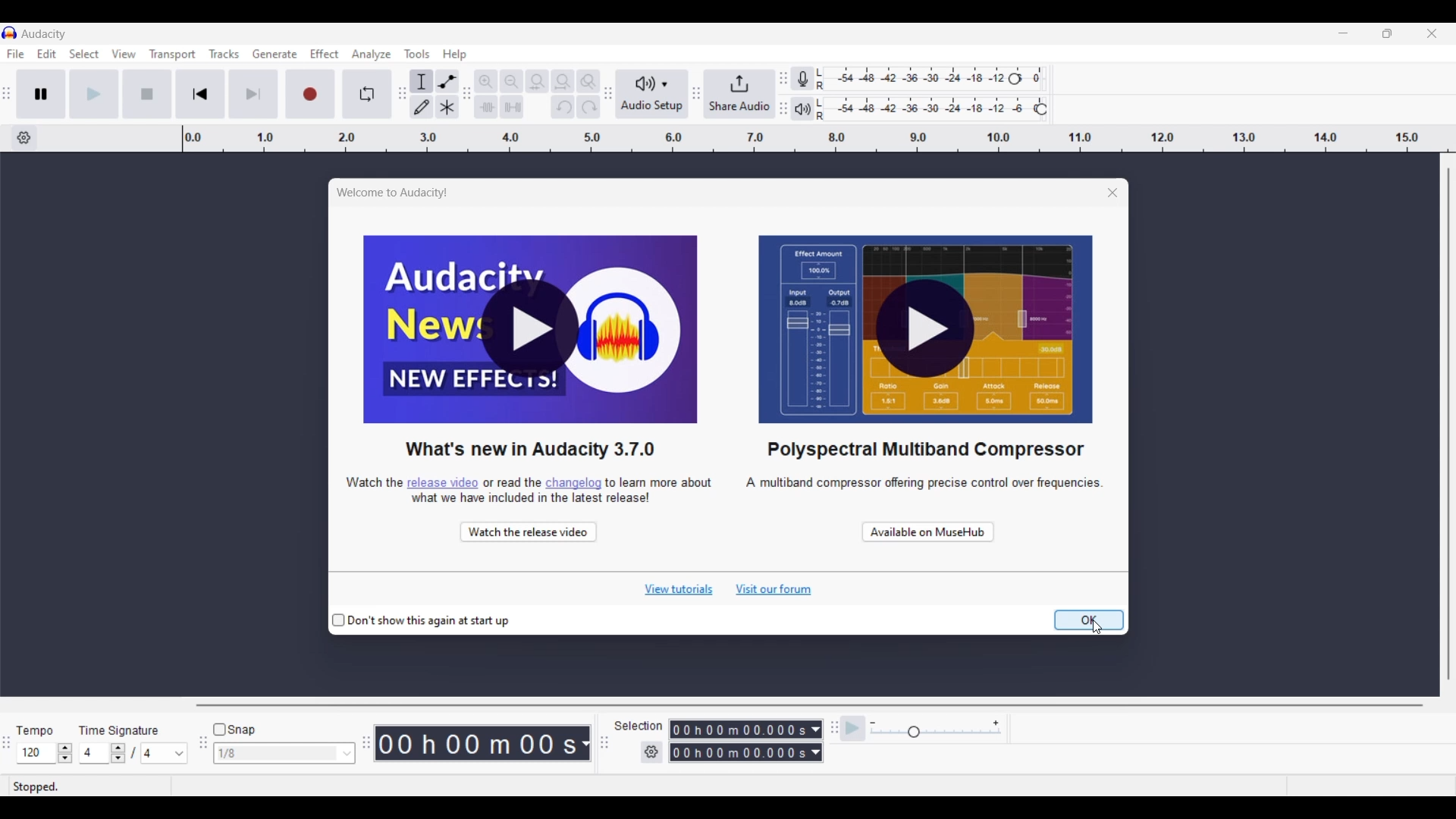 The image size is (1456, 819). I want to click on selection, so click(641, 726).